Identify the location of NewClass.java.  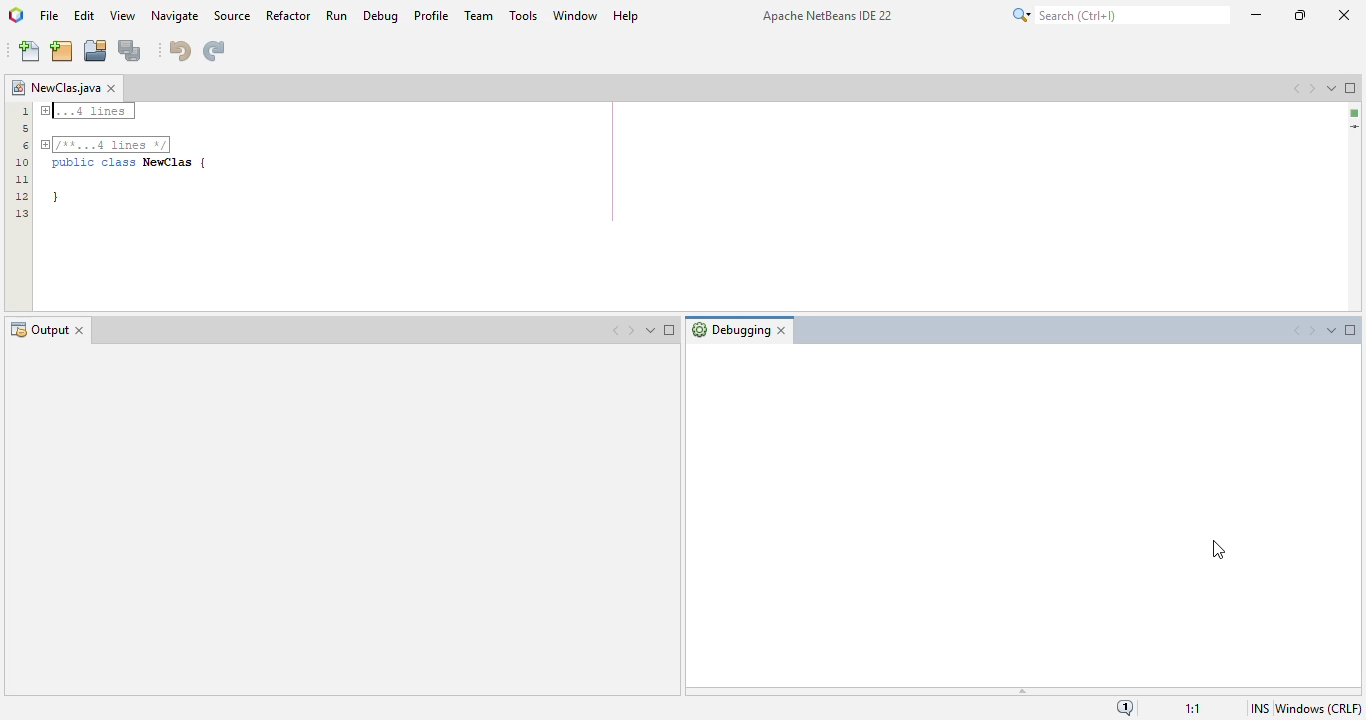
(55, 83).